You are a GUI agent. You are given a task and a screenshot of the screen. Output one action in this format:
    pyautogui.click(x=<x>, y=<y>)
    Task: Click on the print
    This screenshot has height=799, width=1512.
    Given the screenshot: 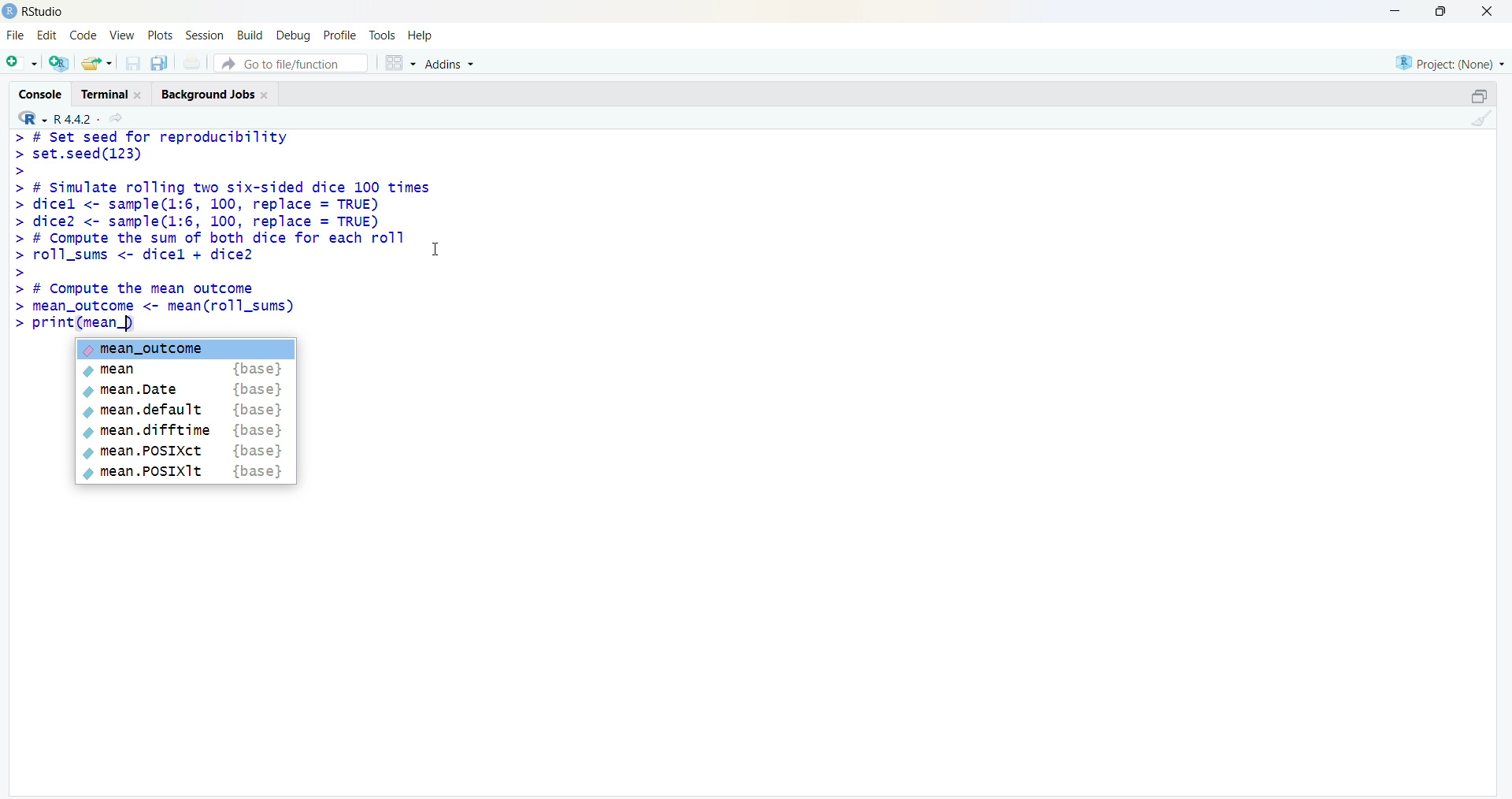 What is the action you would take?
    pyautogui.click(x=192, y=62)
    